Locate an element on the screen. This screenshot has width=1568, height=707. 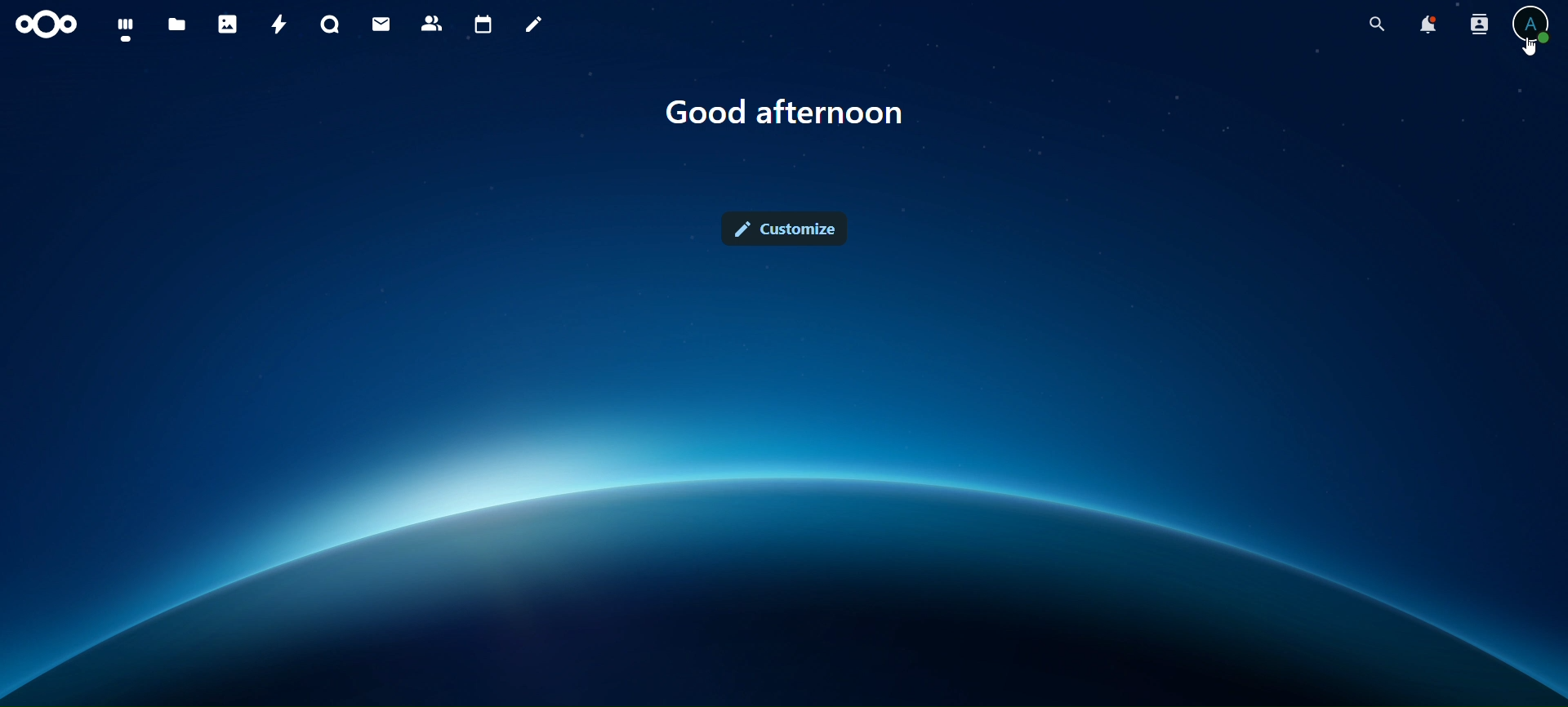
calendar is located at coordinates (482, 23).